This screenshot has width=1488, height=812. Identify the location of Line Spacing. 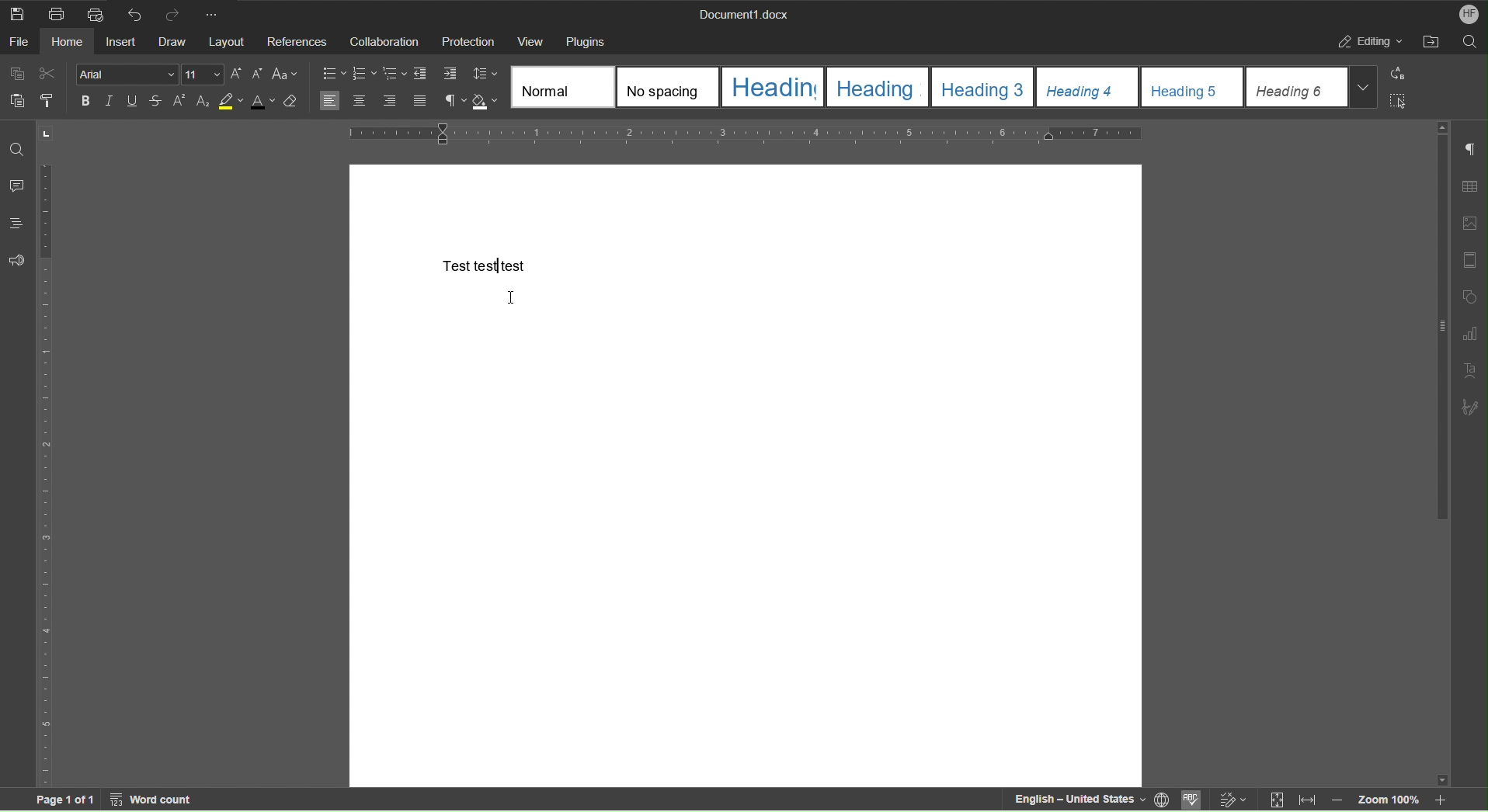
(486, 75).